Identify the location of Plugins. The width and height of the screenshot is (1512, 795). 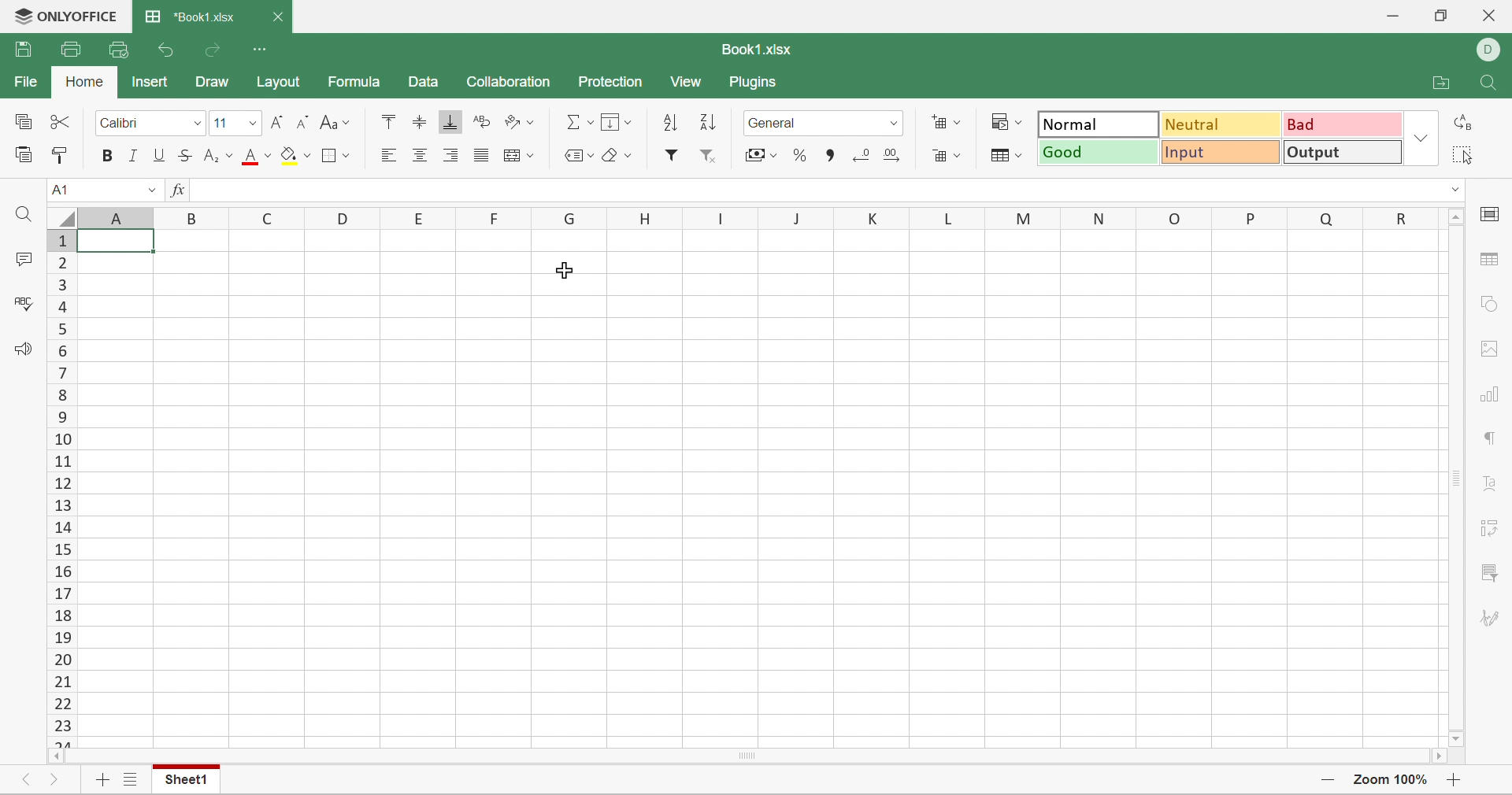
(755, 83).